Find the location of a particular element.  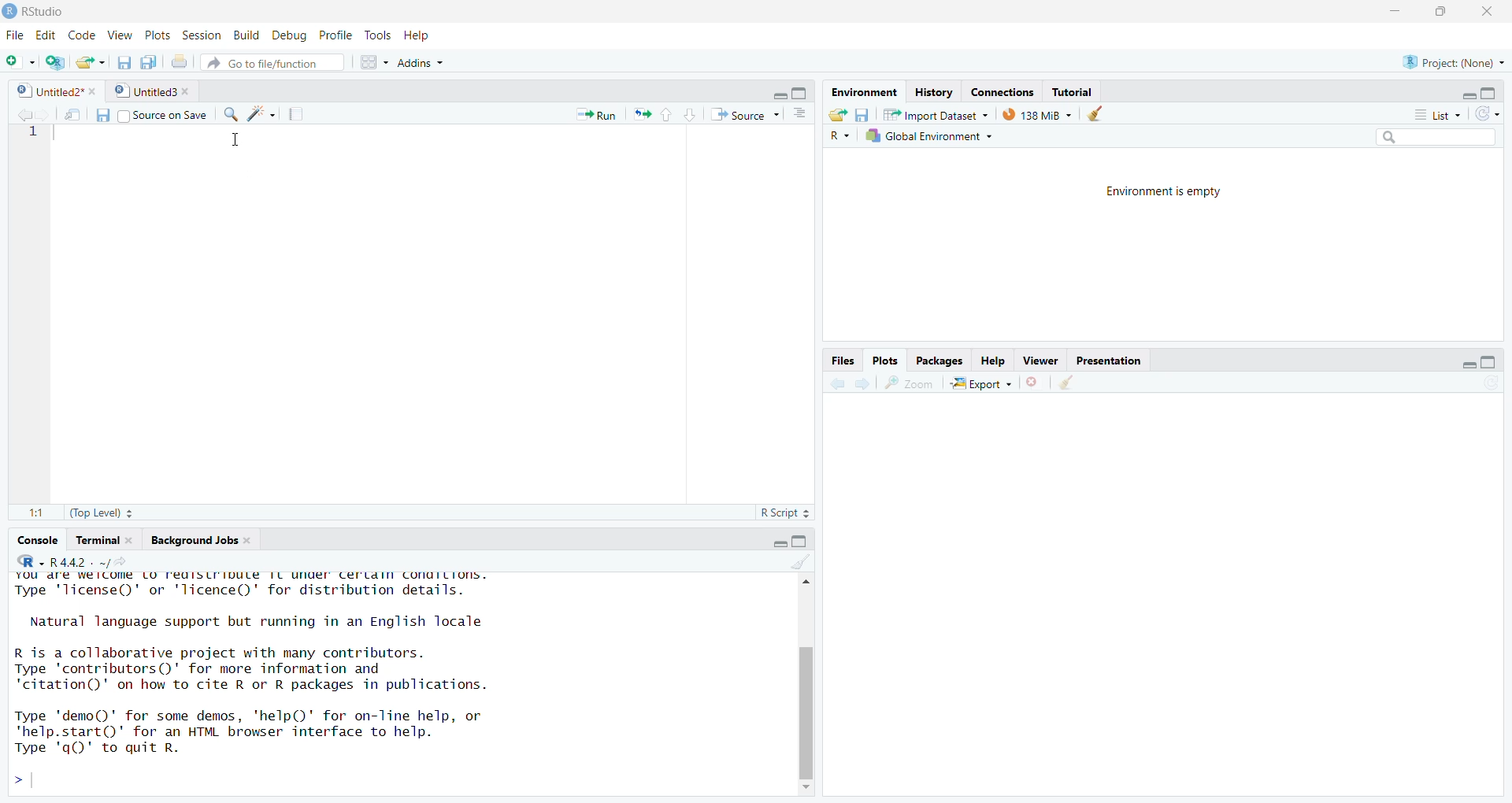

57% 1mnort Dataset ~ is located at coordinates (932, 113).